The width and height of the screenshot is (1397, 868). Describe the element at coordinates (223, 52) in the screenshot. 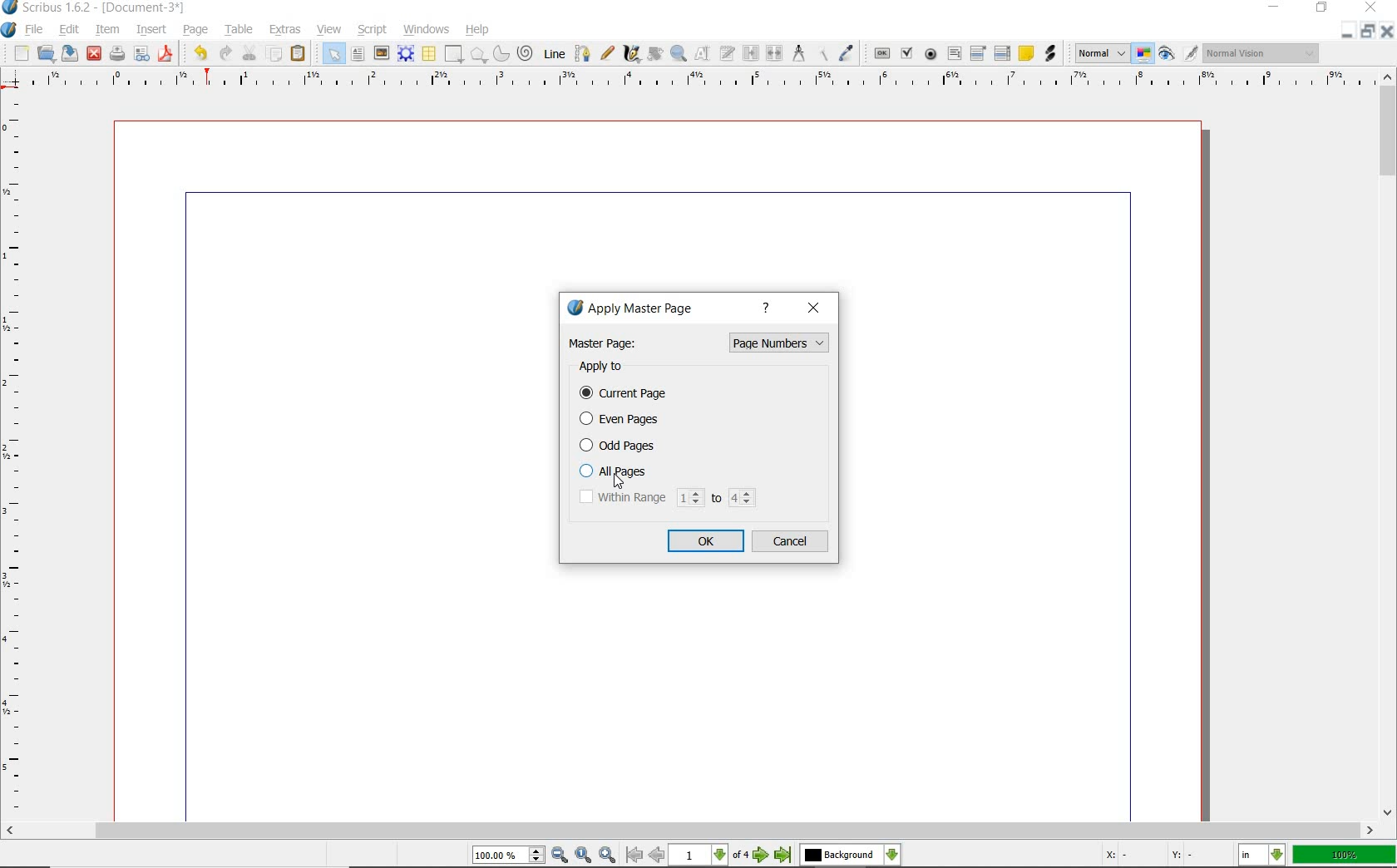

I see `redo` at that location.